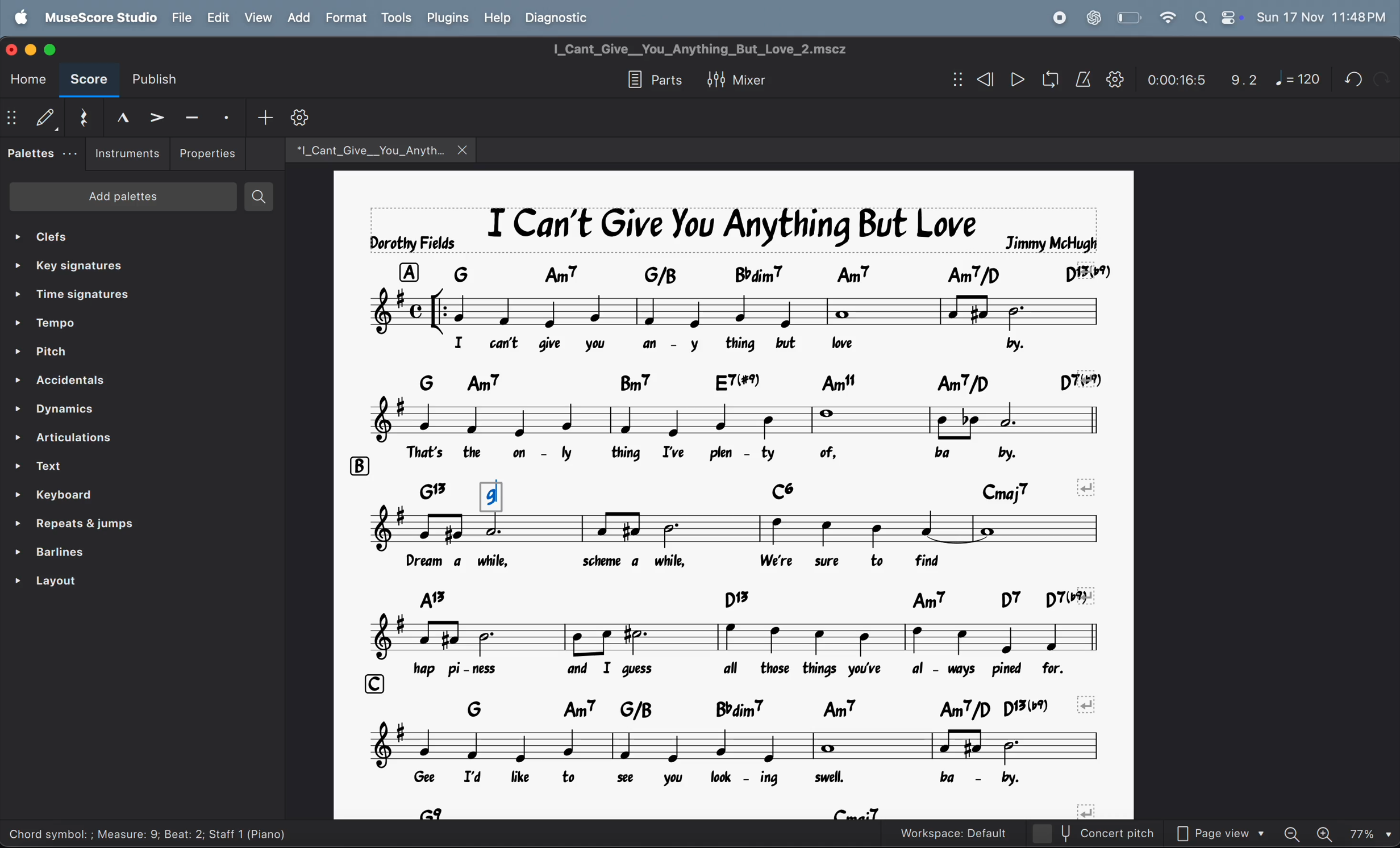 The image size is (1400, 848). I want to click on notes, so click(735, 638).